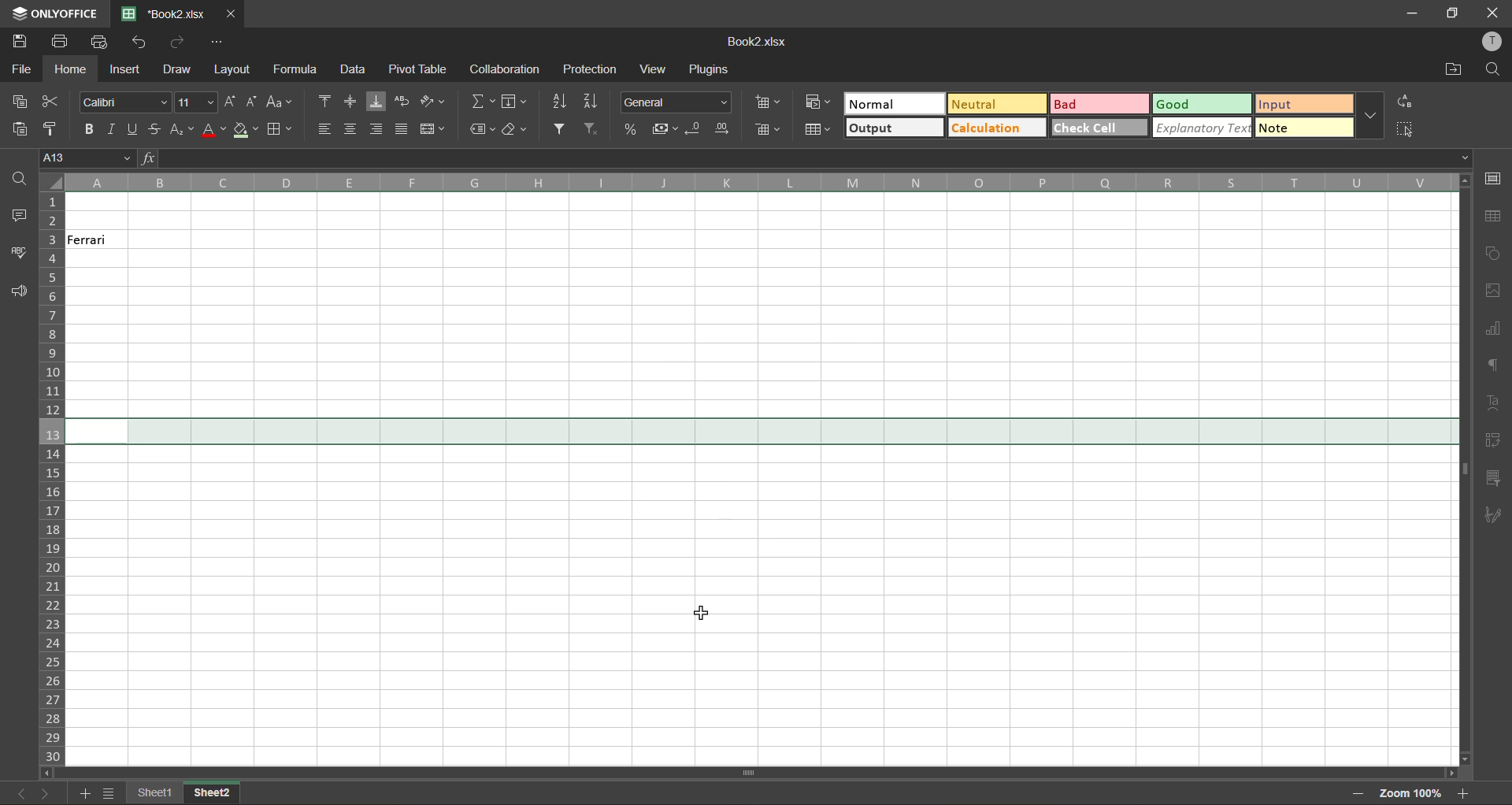 This screenshot has height=805, width=1512. What do you see at coordinates (1098, 129) in the screenshot?
I see `check cell` at bounding box center [1098, 129].